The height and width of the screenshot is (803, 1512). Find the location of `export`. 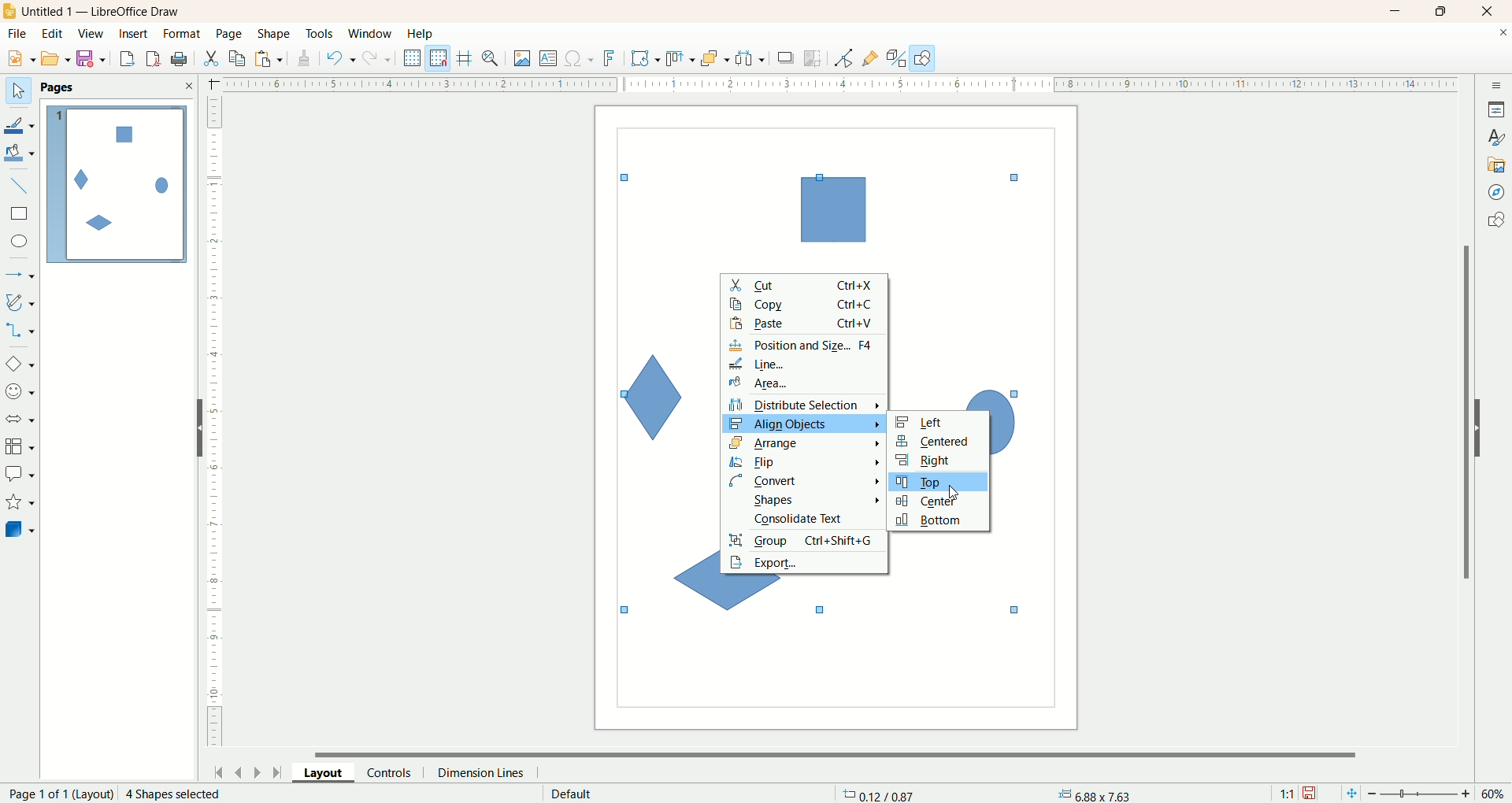

export is located at coordinates (126, 56).